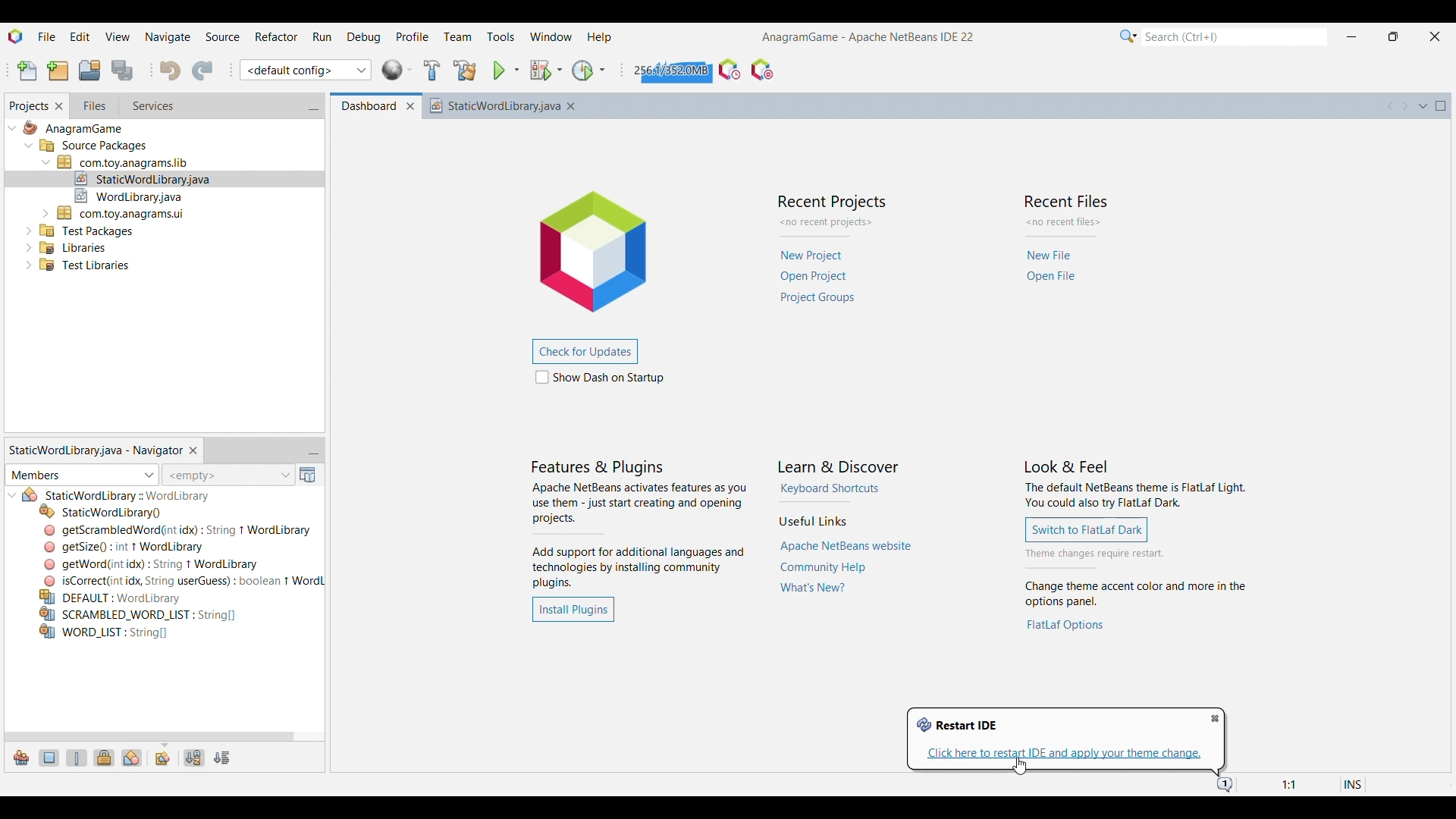 The height and width of the screenshot is (819, 1456). What do you see at coordinates (202, 71) in the screenshot?
I see `Redo` at bounding box center [202, 71].